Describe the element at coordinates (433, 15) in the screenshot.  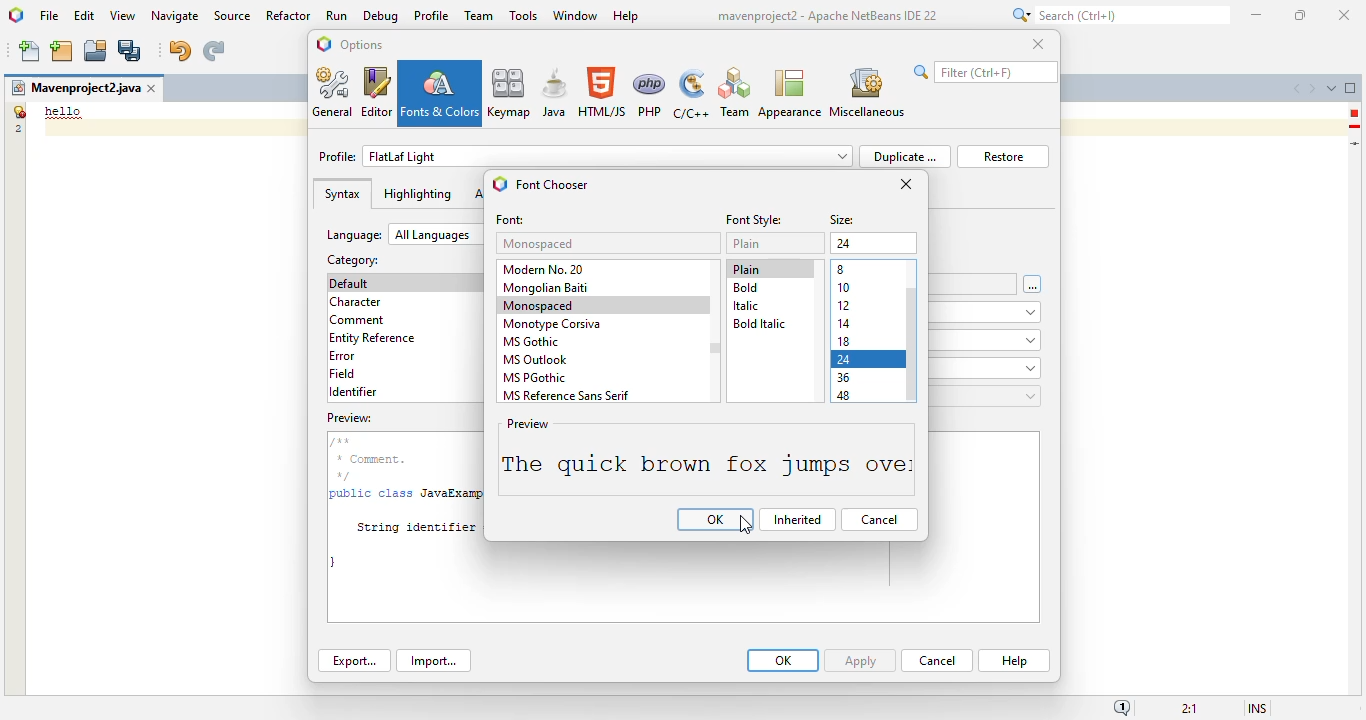
I see `profile` at that location.